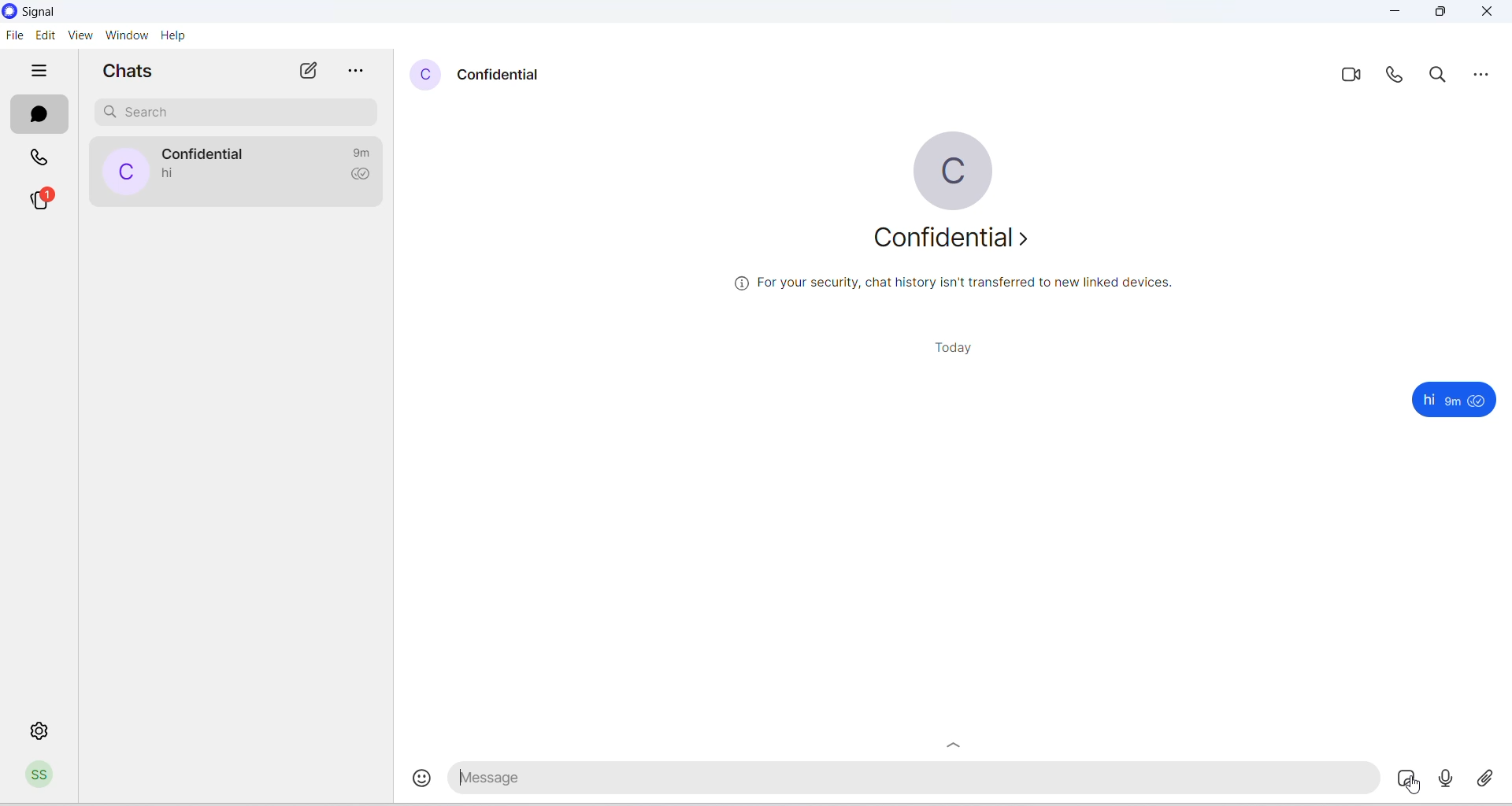 This screenshot has height=806, width=1512. Describe the element at coordinates (82, 36) in the screenshot. I see `view` at that location.